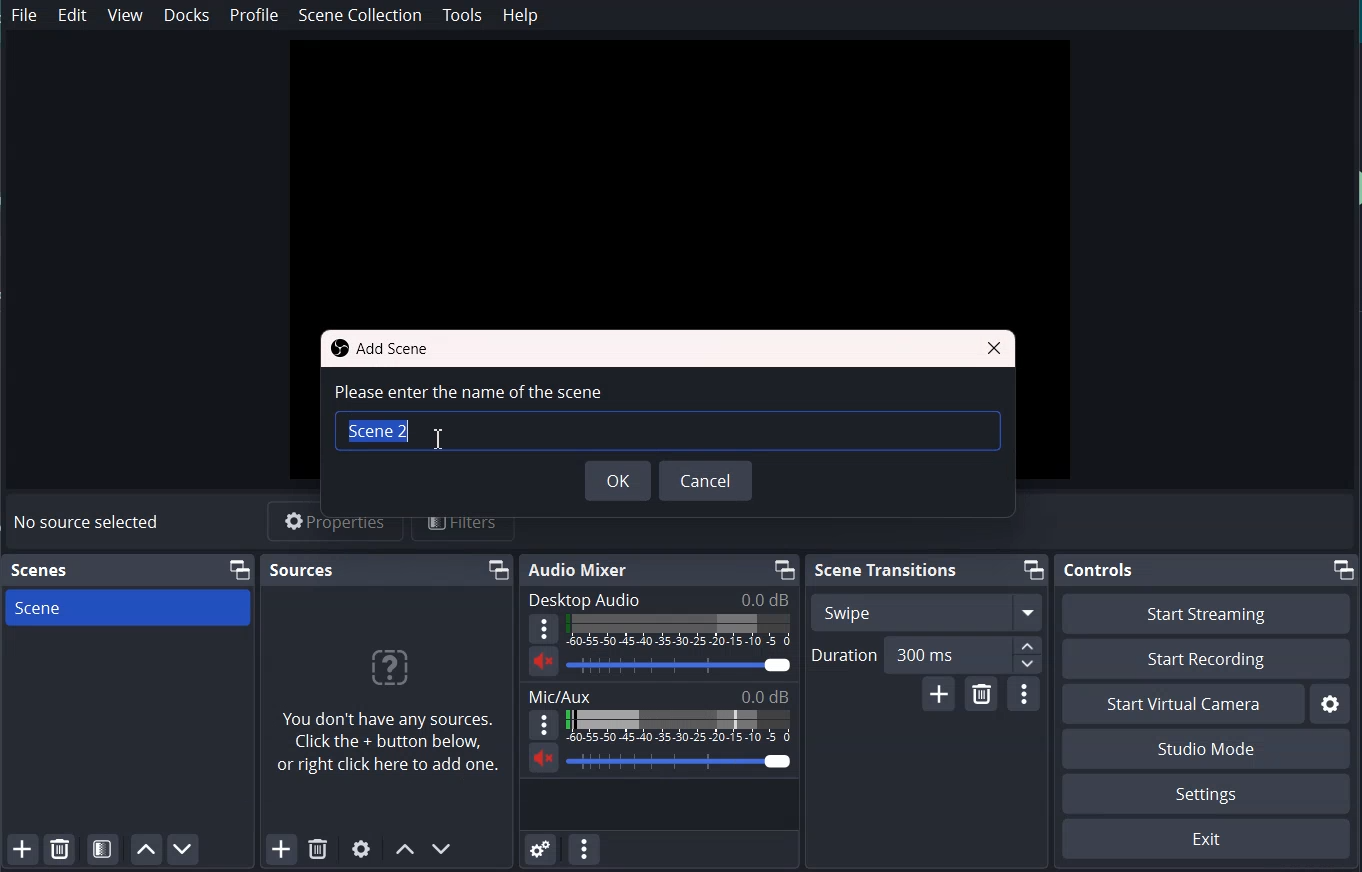 Image resolution: width=1362 pixels, height=872 pixels. What do you see at coordinates (60, 848) in the screenshot?
I see `Remove Selected Scene` at bounding box center [60, 848].